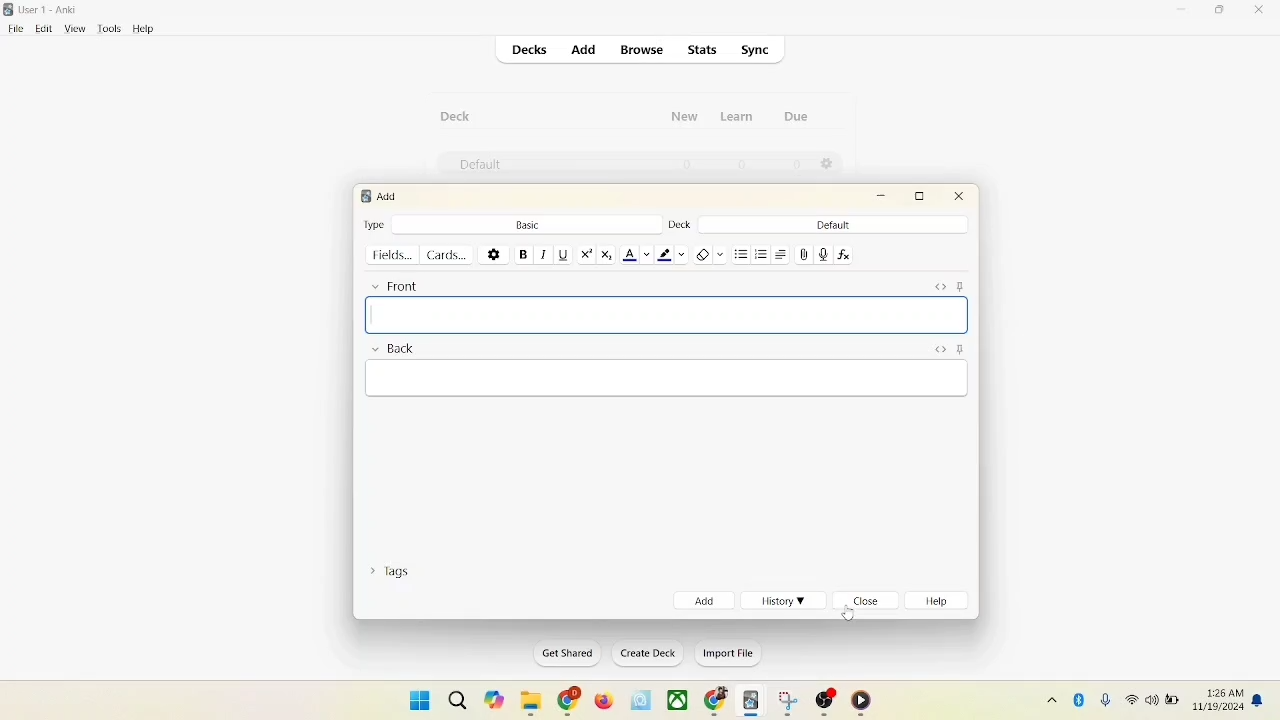 The image size is (1280, 720). What do you see at coordinates (456, 116) in the screenshot?
I see `deck` at bounding box center [456, 116].